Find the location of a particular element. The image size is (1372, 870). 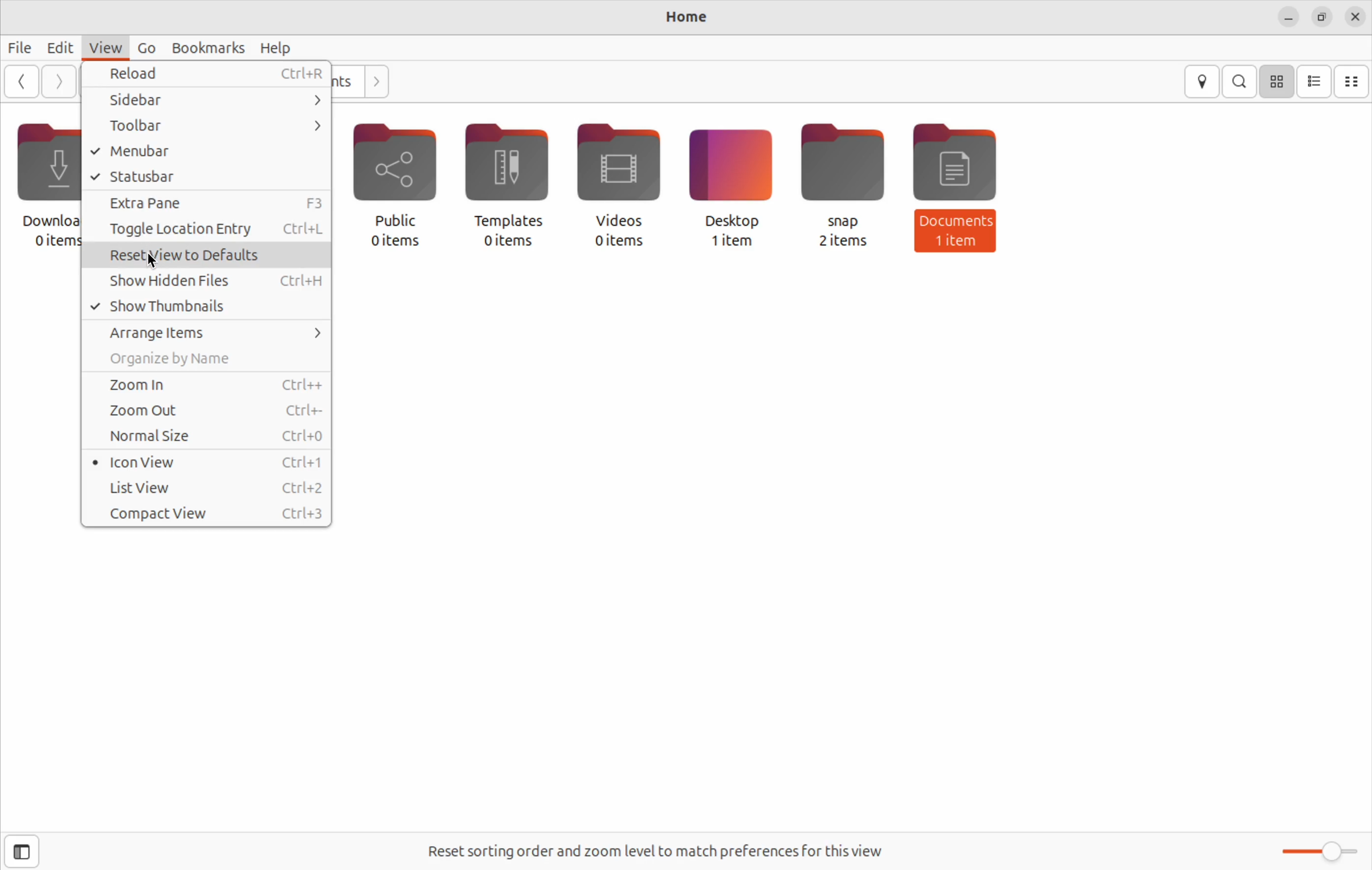

snap is located at coordinates (844, 171).